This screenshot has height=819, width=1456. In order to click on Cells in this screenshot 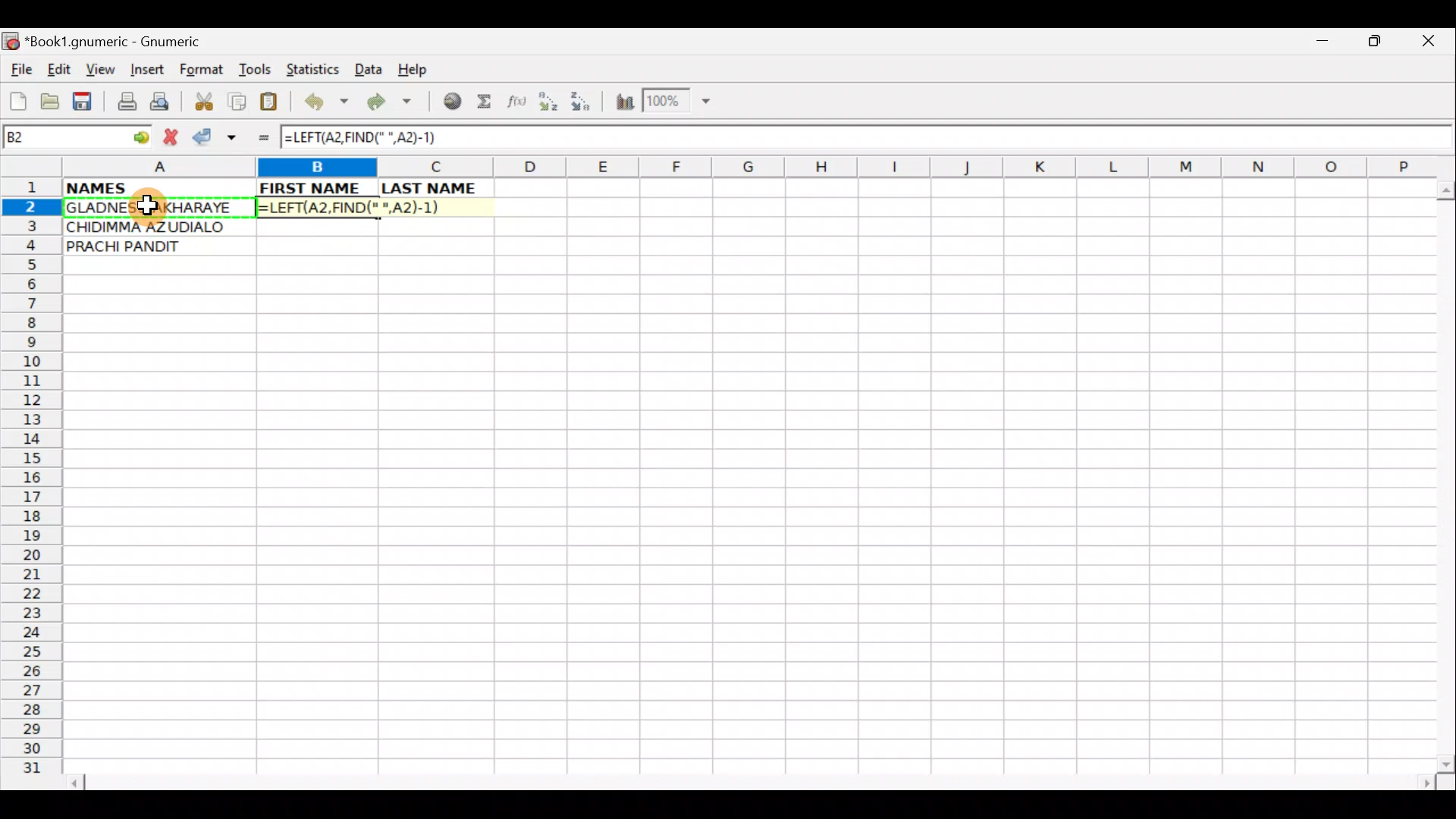, I will do `click(746, 528)`.